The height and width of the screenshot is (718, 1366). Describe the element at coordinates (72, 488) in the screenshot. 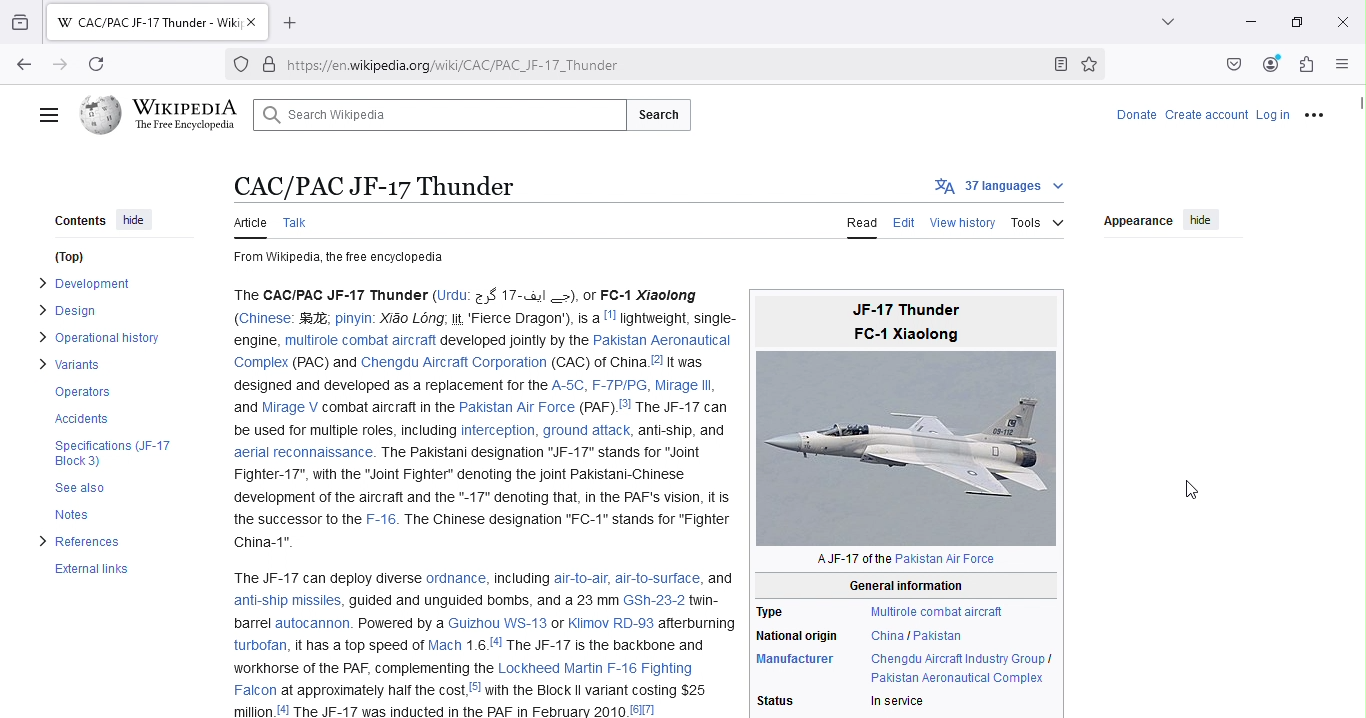

I see `See also` at that location.